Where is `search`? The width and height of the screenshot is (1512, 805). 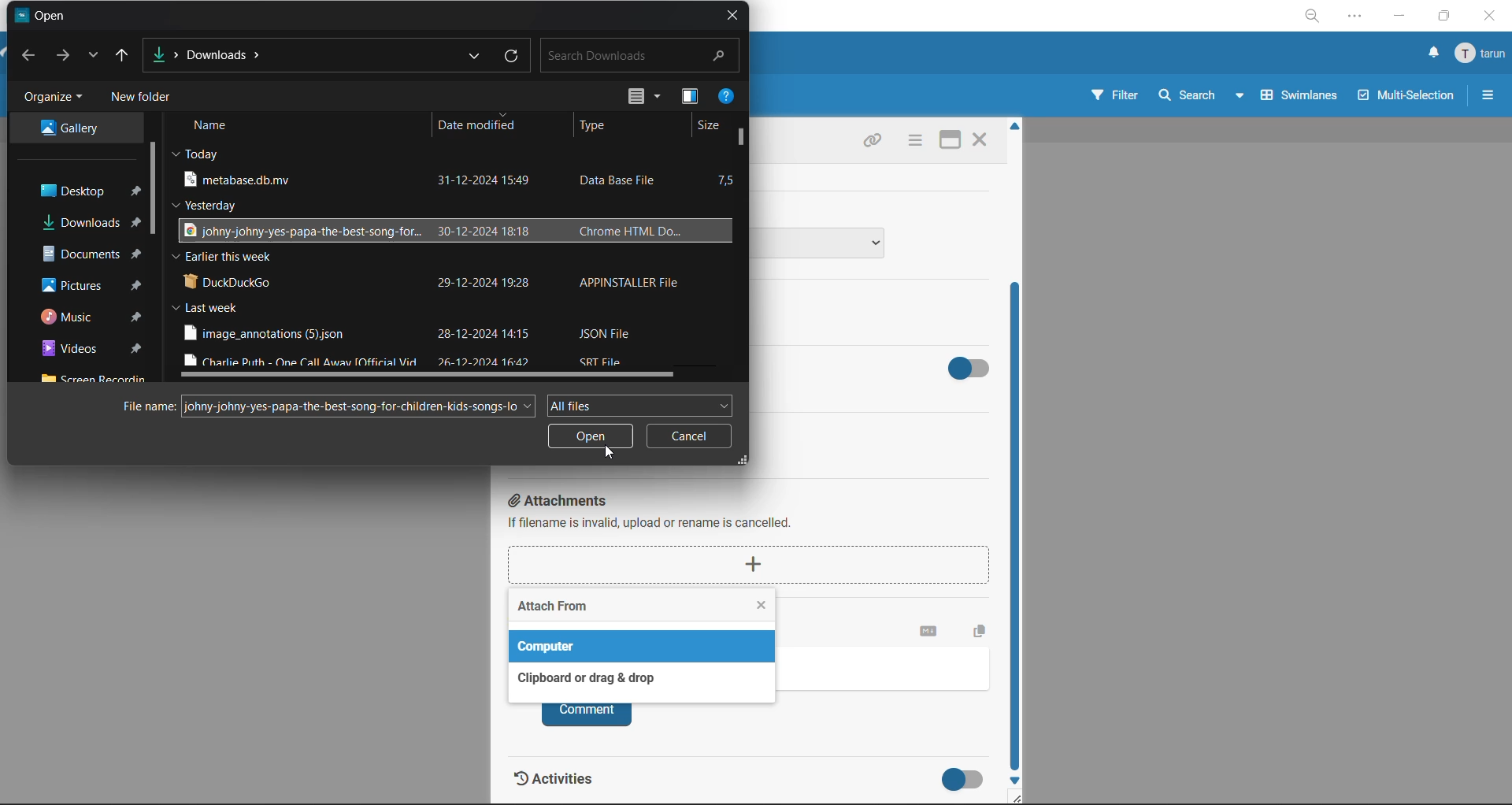
search is located at coordinates (641, 56).